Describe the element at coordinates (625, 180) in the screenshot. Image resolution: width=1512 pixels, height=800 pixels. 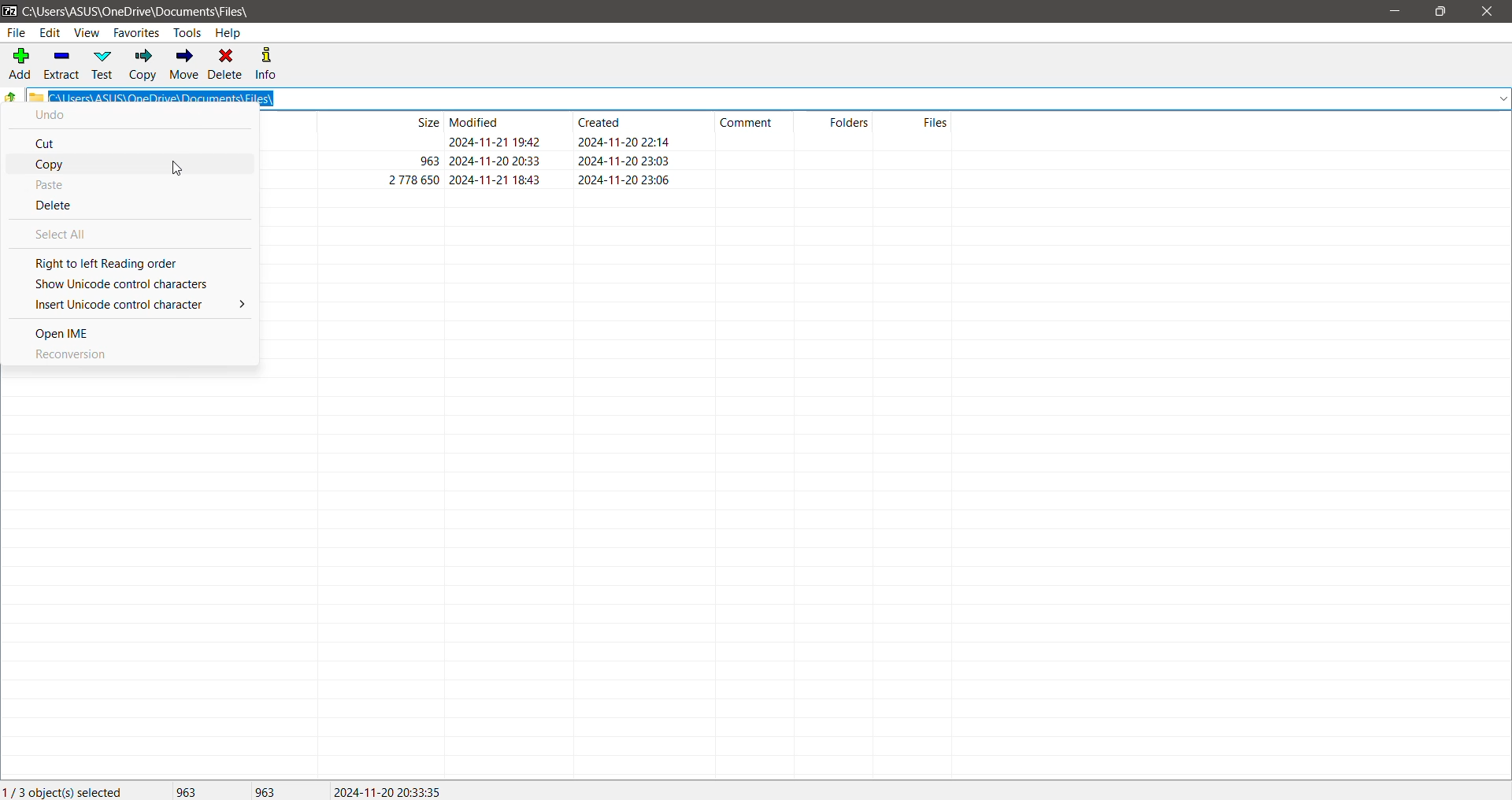
I see `created date & time` at that location.